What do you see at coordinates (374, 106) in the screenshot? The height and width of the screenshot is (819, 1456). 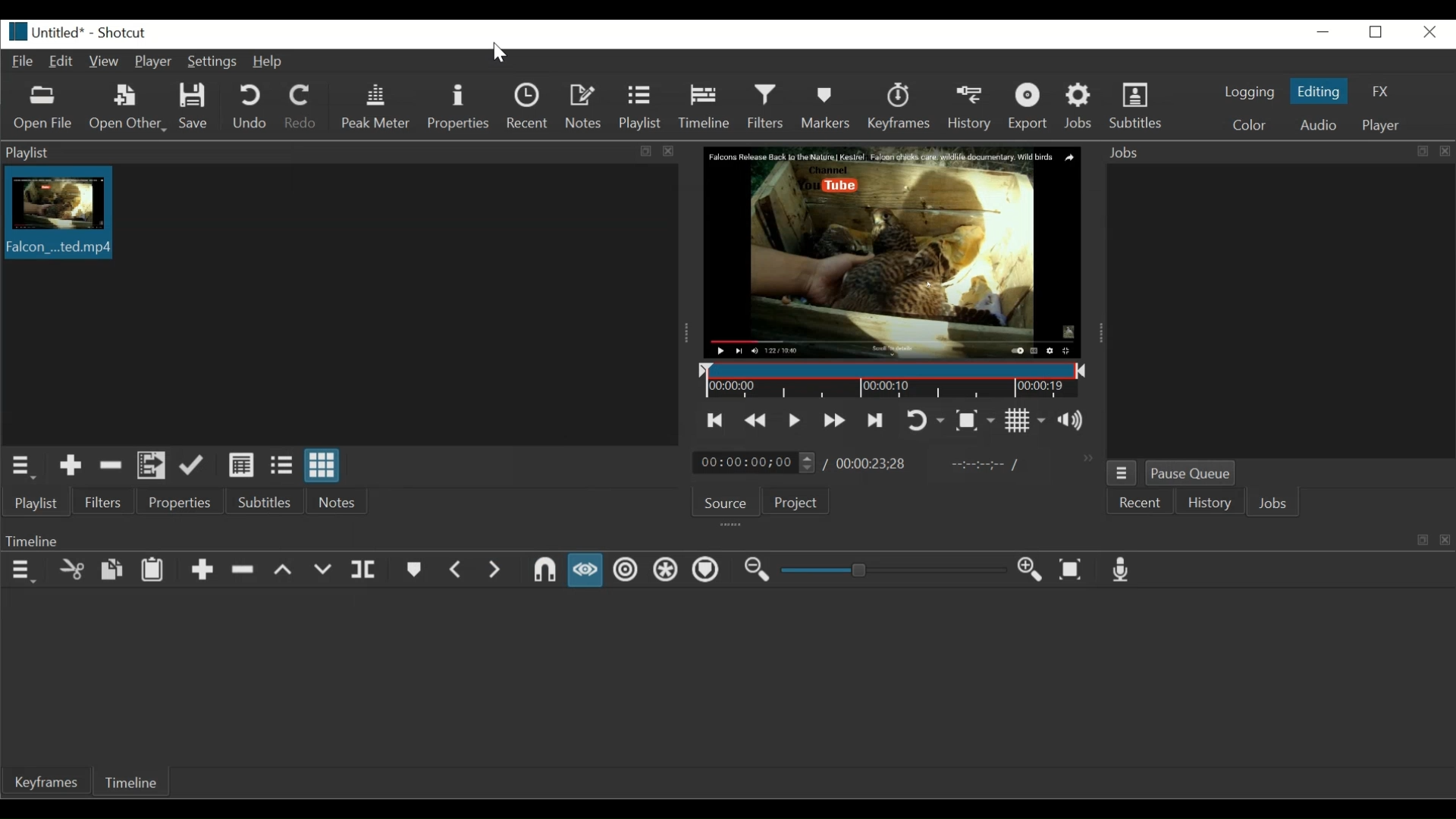 I see `Peak Meter` at bounding box center [374, 106].